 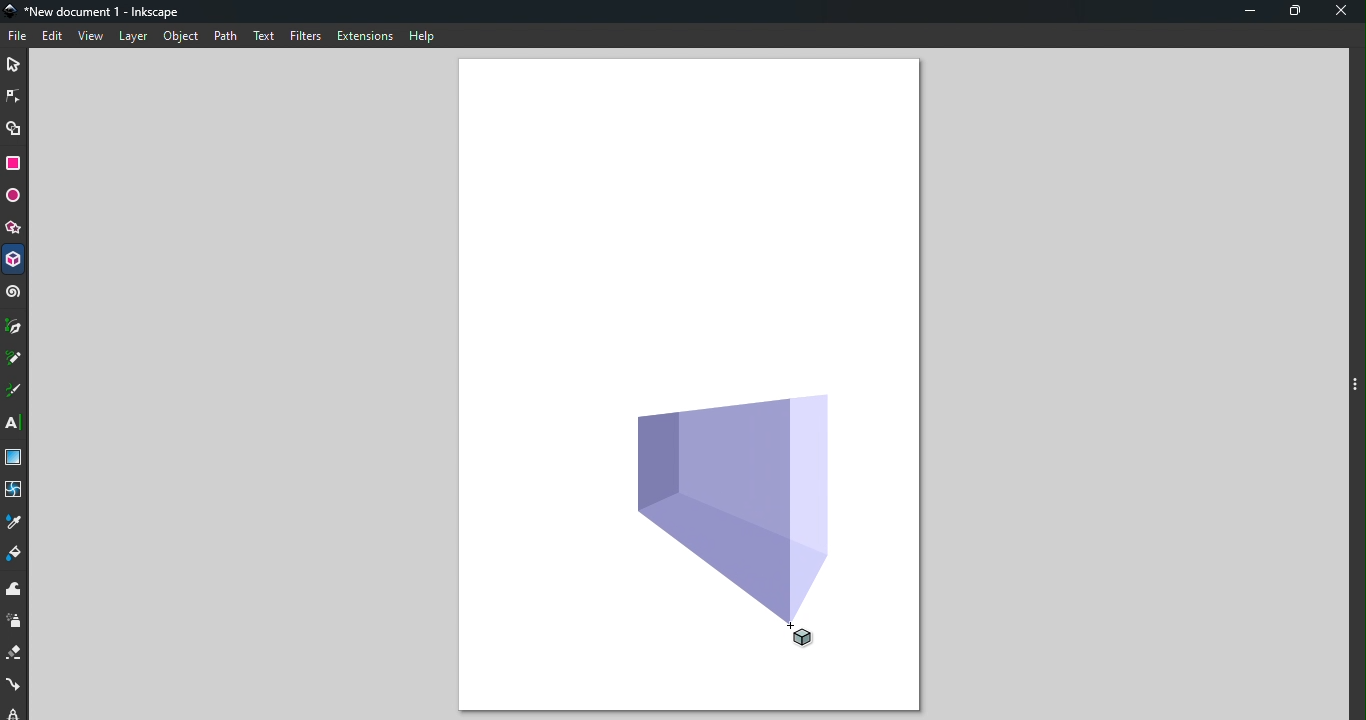 What do you see at coordinates (14, 259) in the screenshot?
I see `3D box tool` at bounding box center [14, 259].